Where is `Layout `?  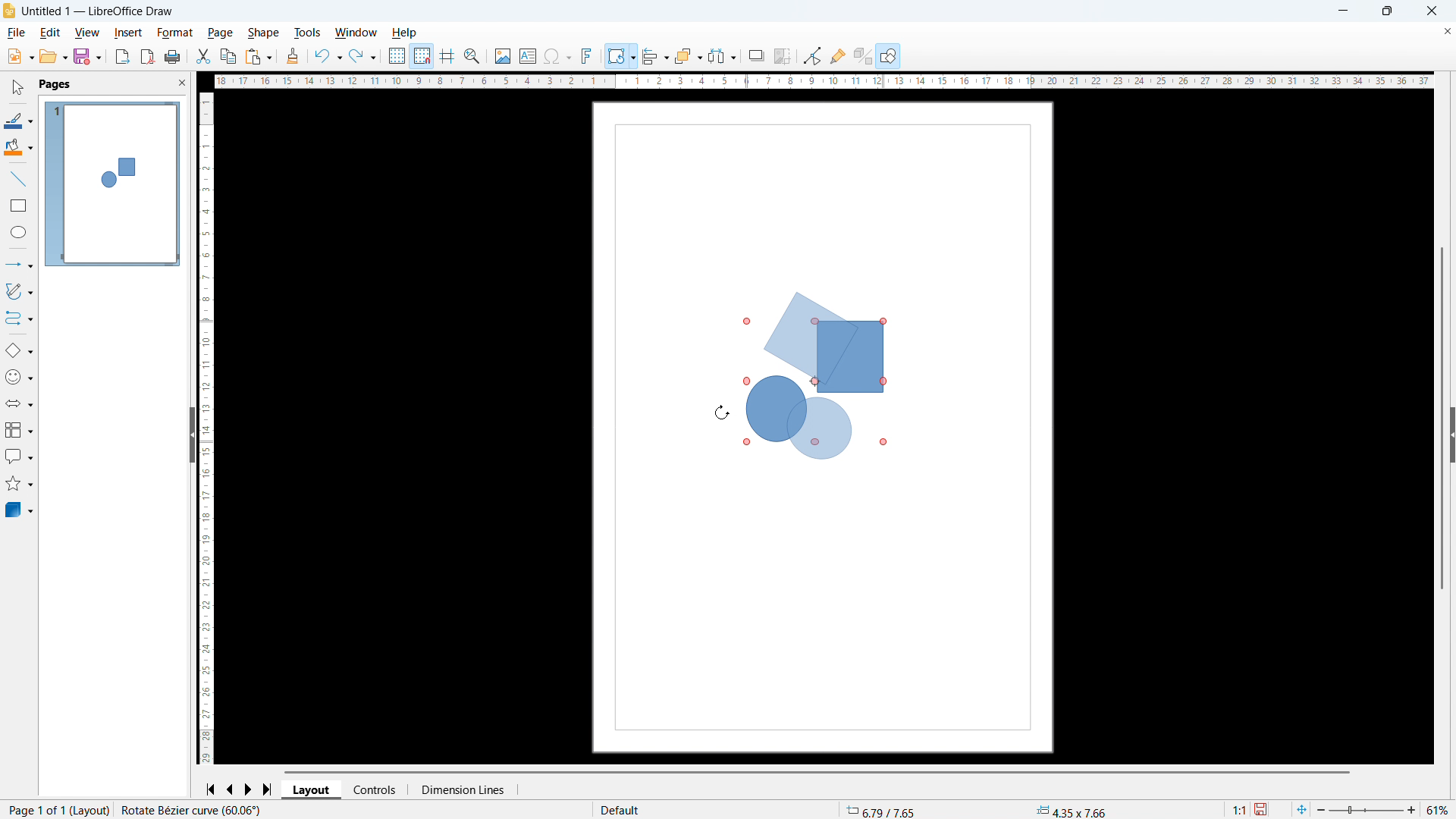 Layout  is located at coordinates (312, 790).